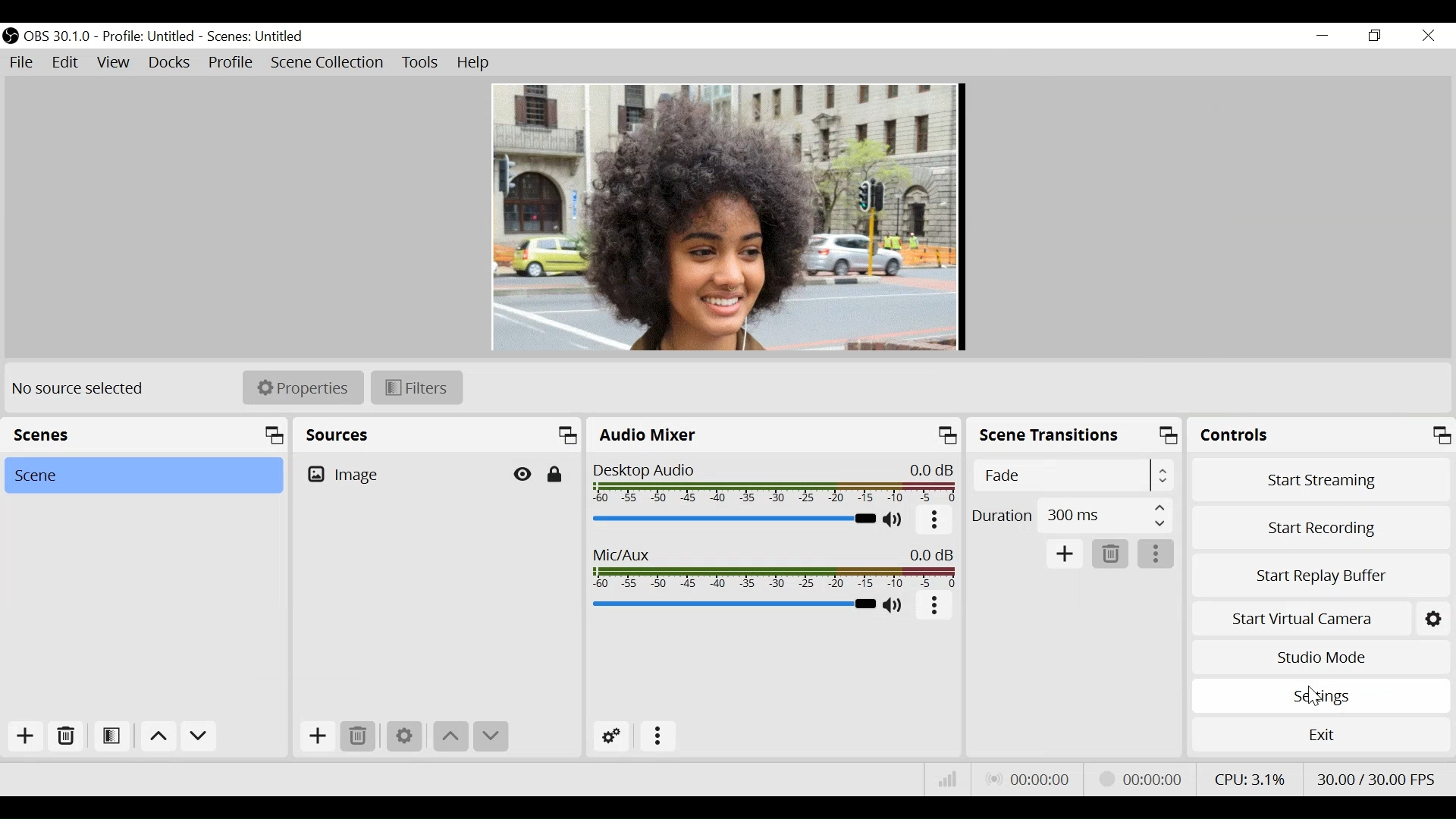  I want to click on Profile, so click(233, 62).